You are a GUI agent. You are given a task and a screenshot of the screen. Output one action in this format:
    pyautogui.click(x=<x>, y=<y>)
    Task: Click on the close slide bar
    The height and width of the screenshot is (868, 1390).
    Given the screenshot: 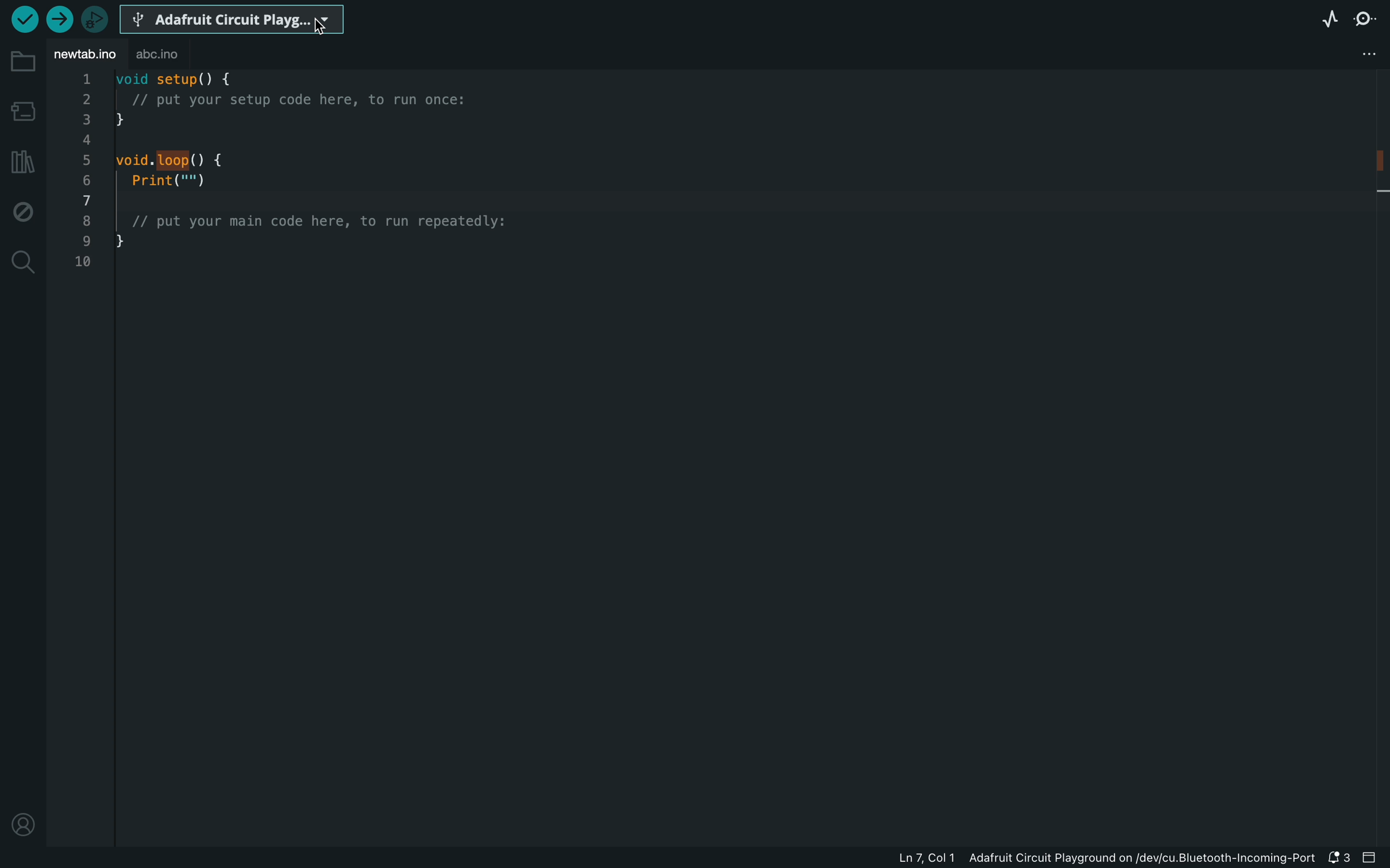 What is the action you would take?
    pyautogui.click(x=1375, y=858)
    